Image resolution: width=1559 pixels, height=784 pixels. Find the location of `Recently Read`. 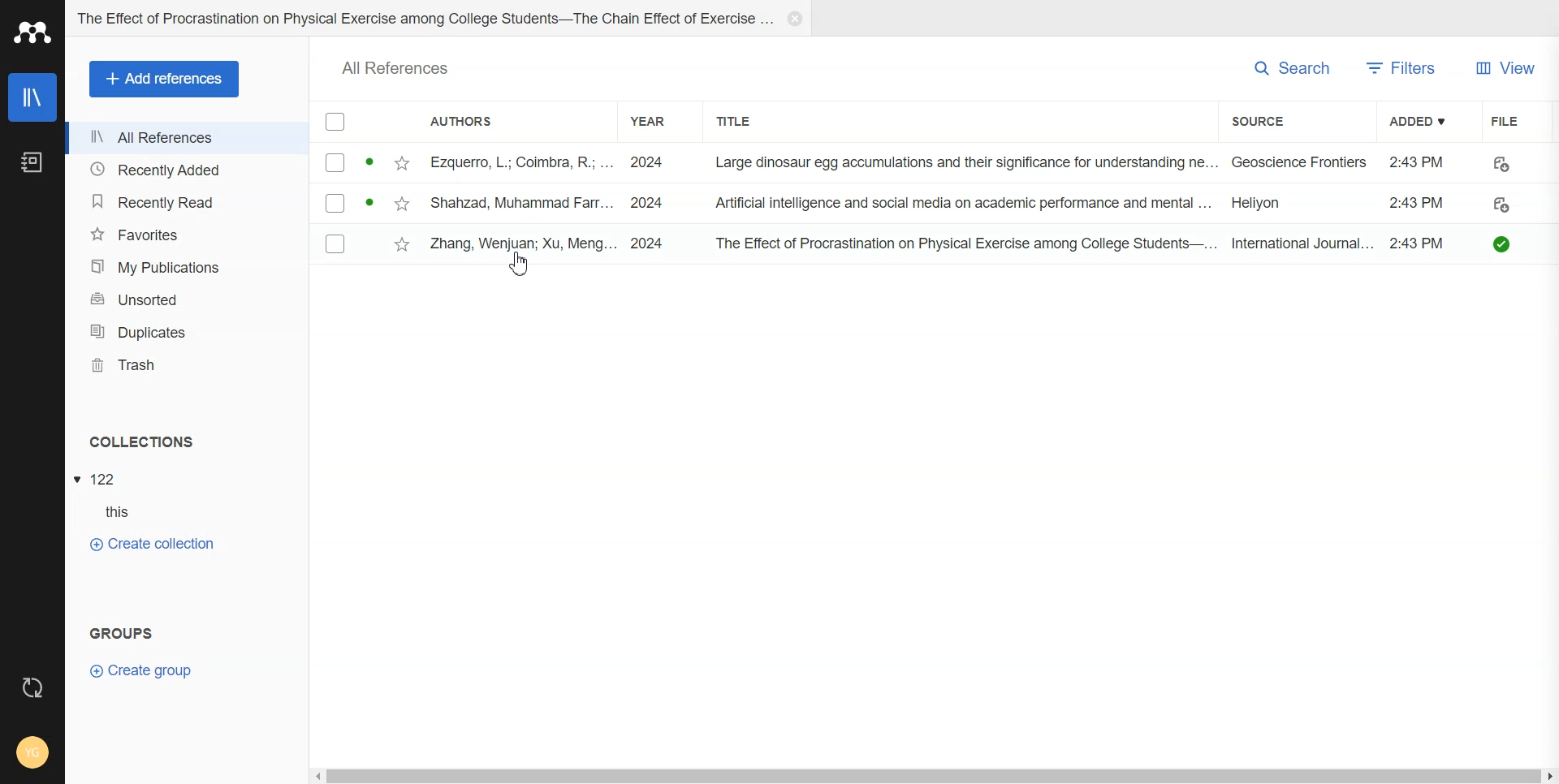

Recently Read is located at coordinates (190, 200).